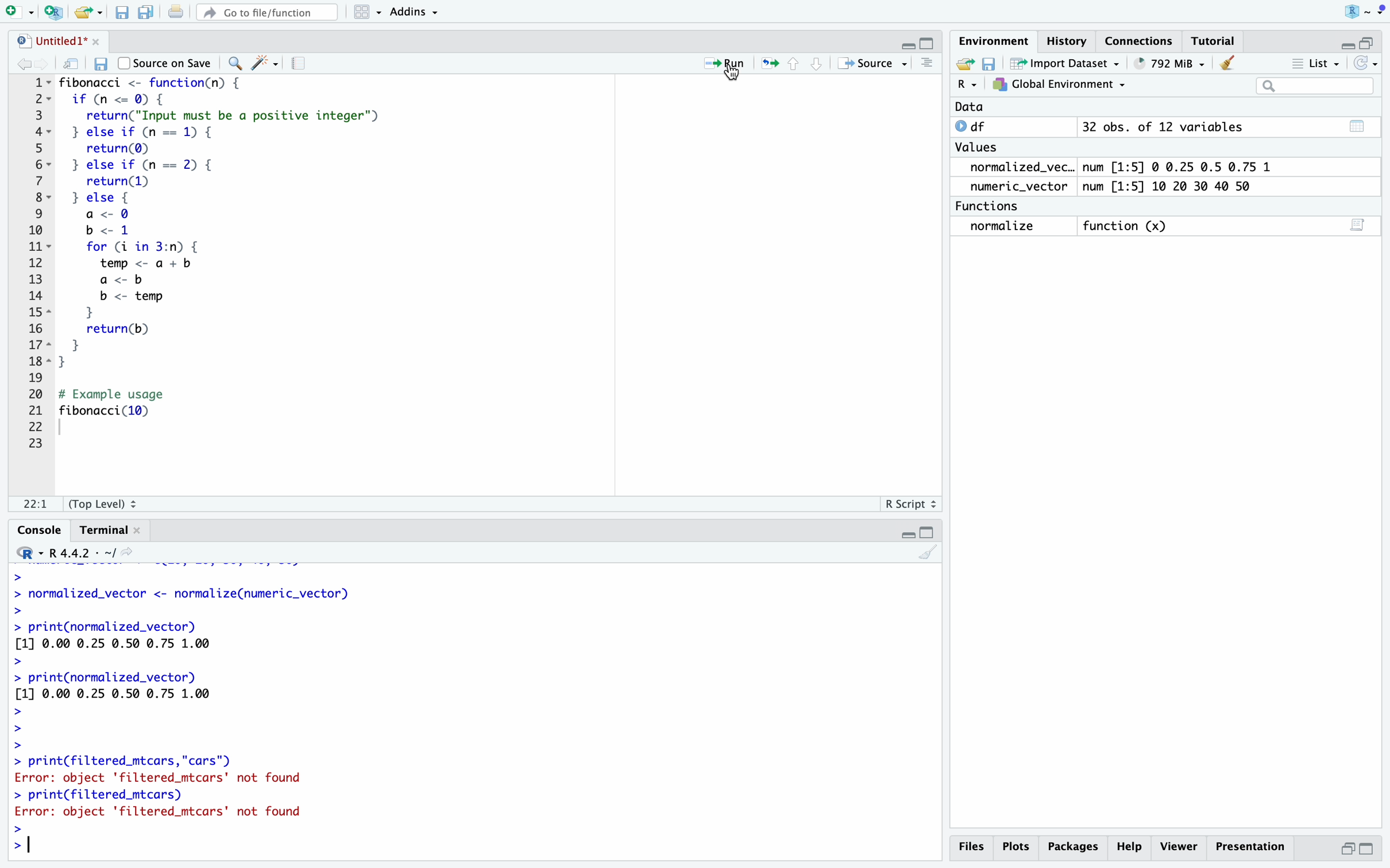 This screenshot has height=868, width=1390. I want to click on viewer, so click(1179, 846).